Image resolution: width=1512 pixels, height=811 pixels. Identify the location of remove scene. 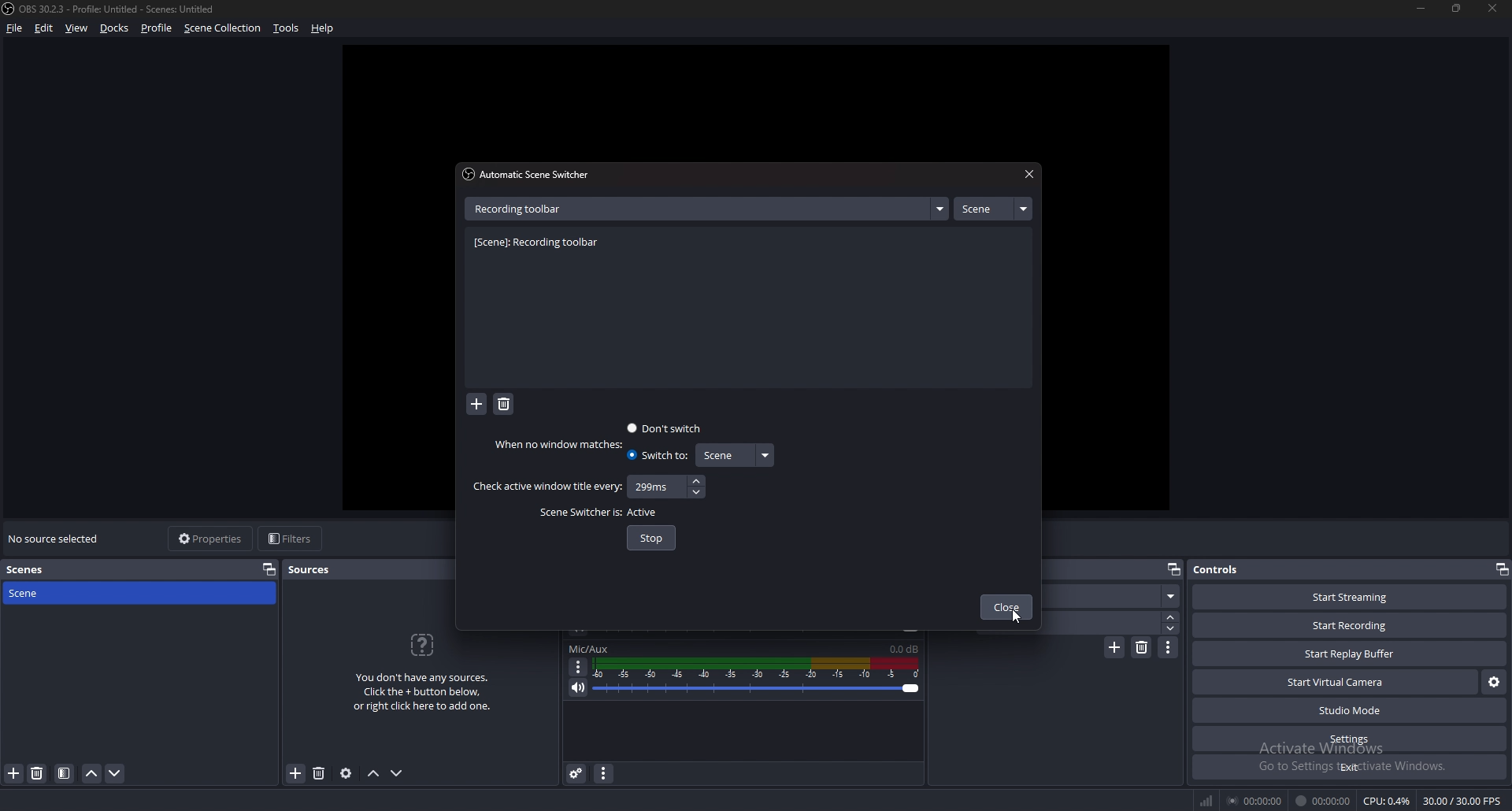
(37, 773).